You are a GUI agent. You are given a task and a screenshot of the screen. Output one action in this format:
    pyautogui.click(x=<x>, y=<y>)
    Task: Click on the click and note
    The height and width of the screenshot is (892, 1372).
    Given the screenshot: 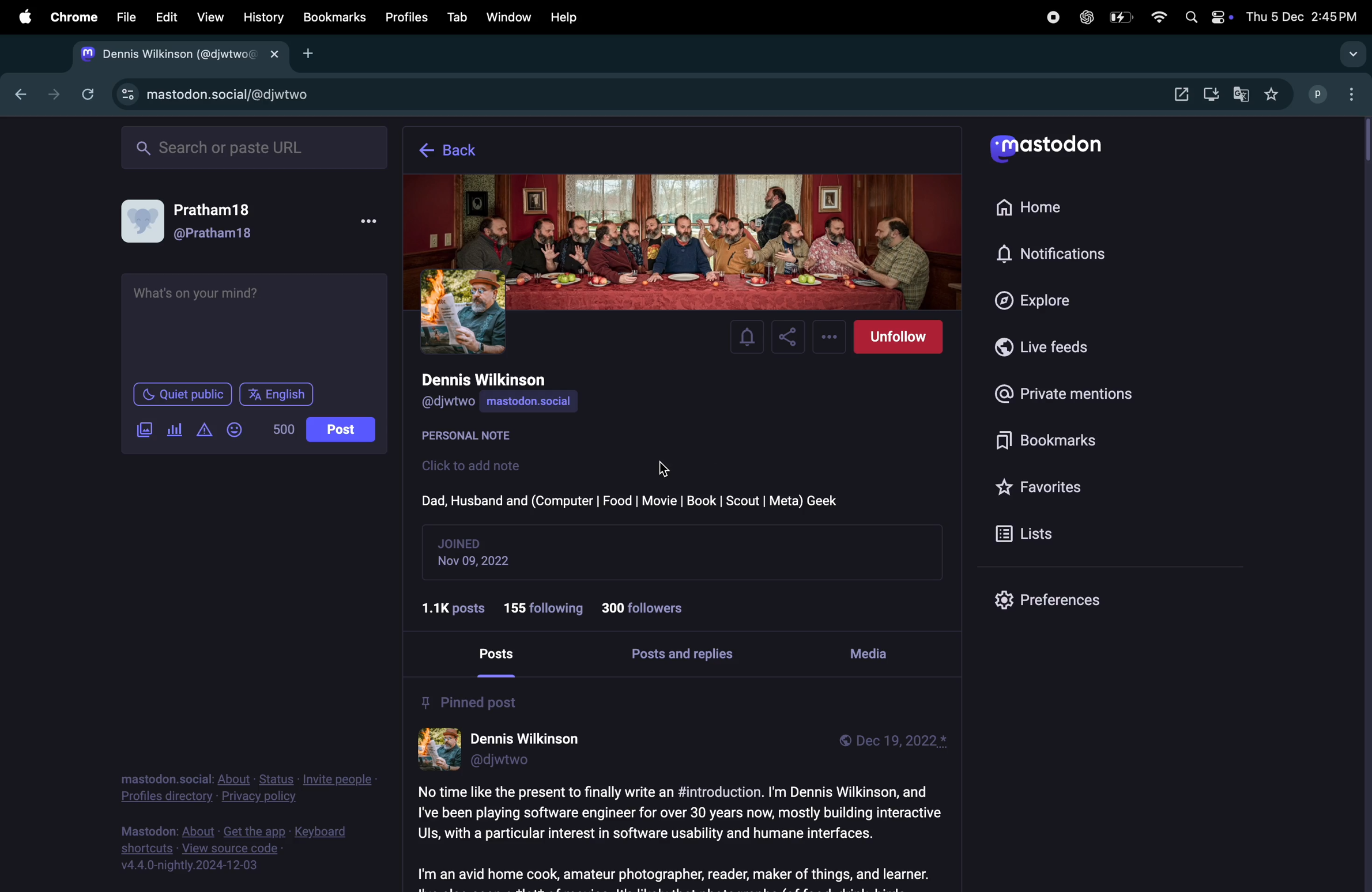 What is the action you would take?
    pyautogui.click(x=476, y=466)
    